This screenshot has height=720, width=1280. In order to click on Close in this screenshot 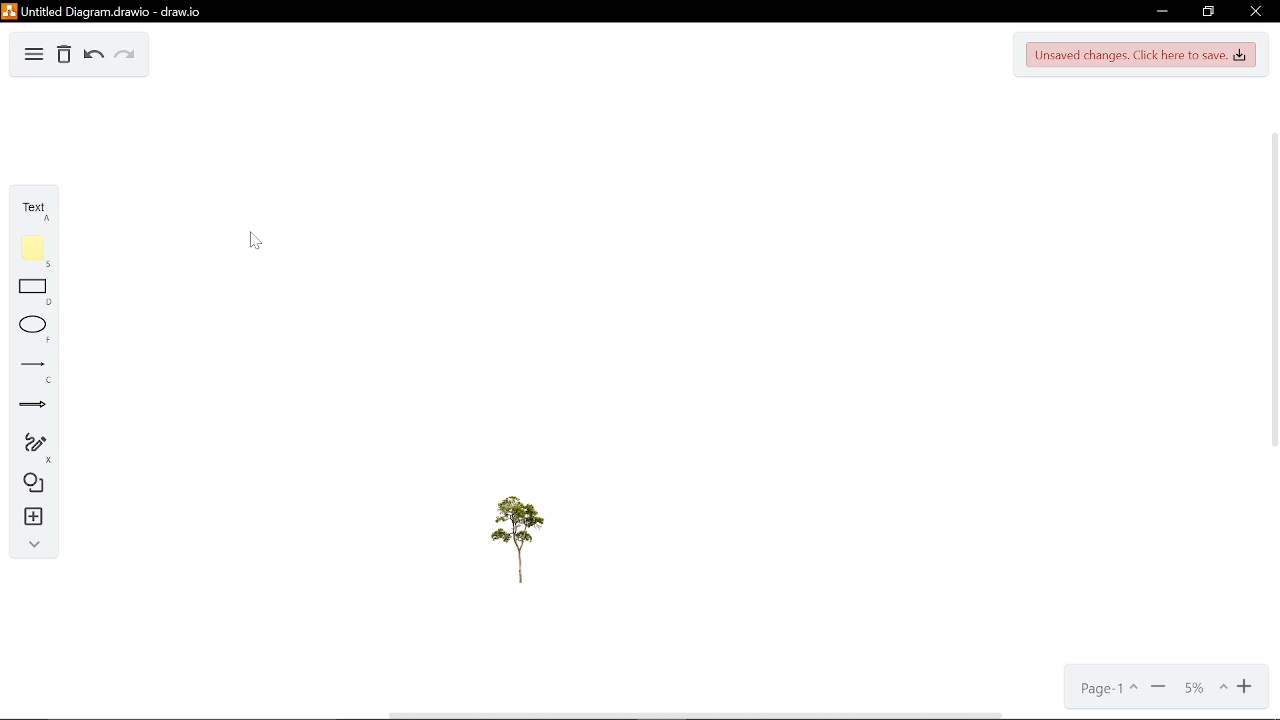, I will do `click(1257, 11)`.